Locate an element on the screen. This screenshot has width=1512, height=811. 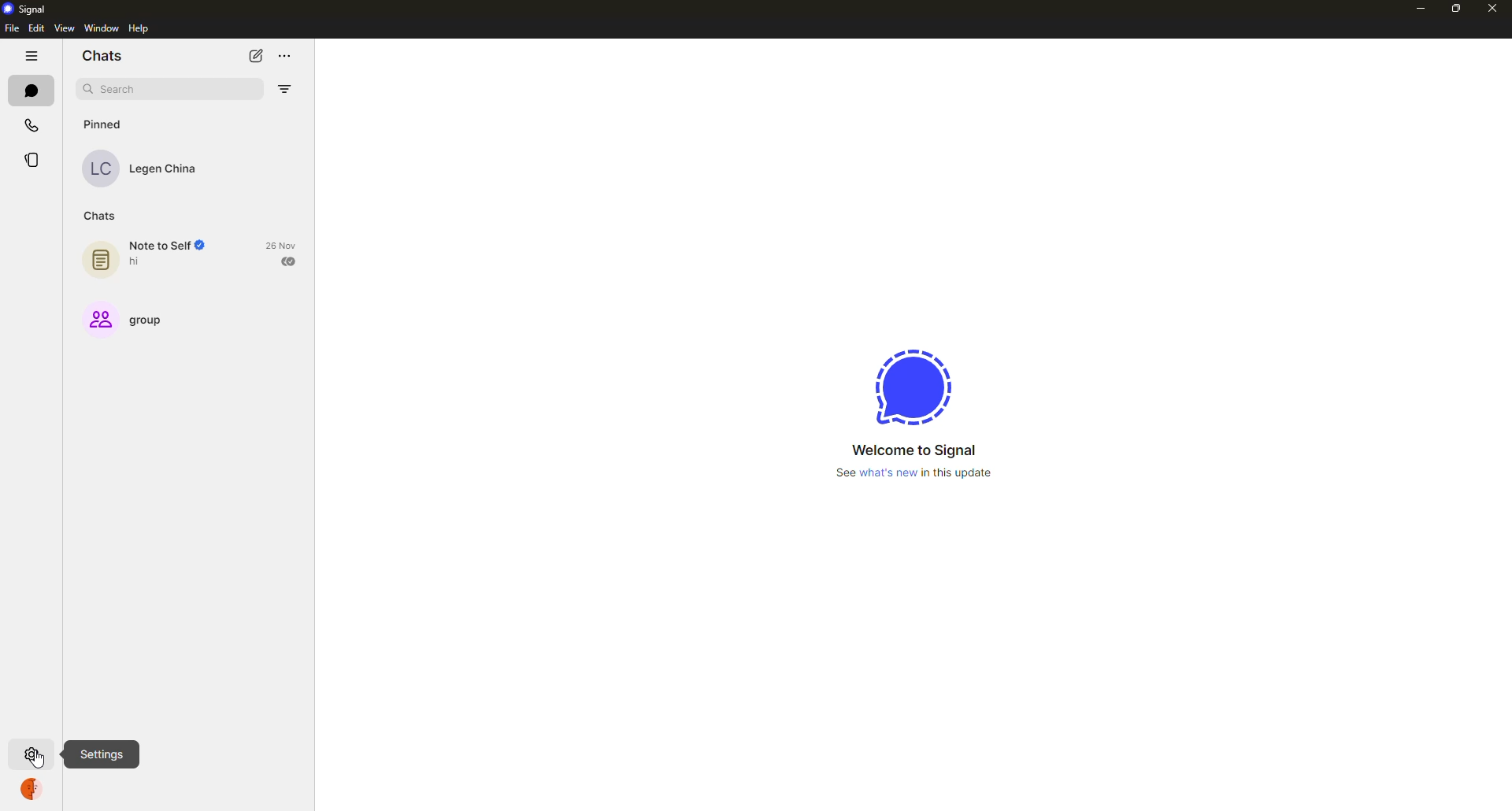
close is located at coordinates (1492, 7).